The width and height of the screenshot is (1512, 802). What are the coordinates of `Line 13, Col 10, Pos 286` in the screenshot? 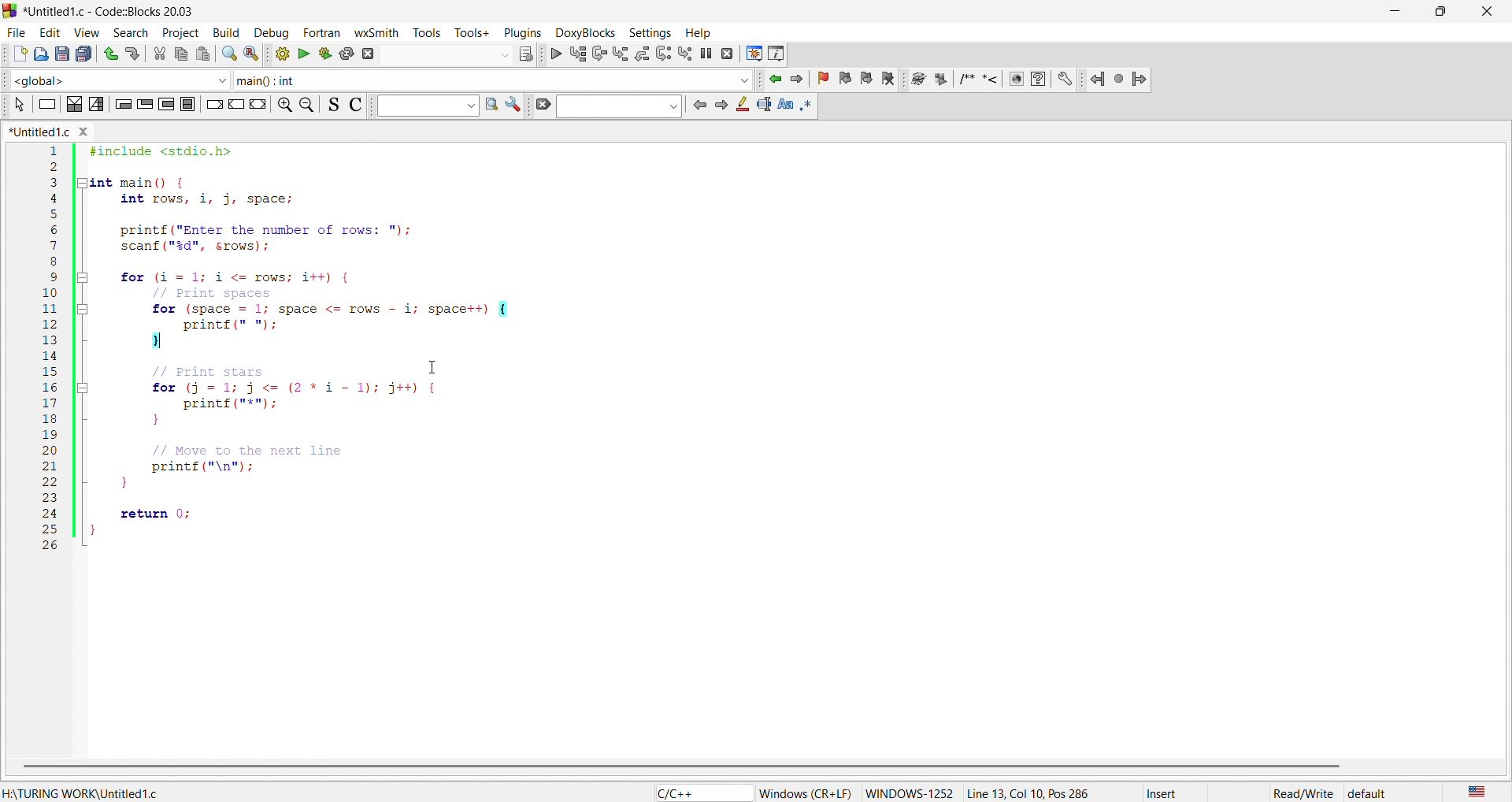 It's located at (1036, 794).